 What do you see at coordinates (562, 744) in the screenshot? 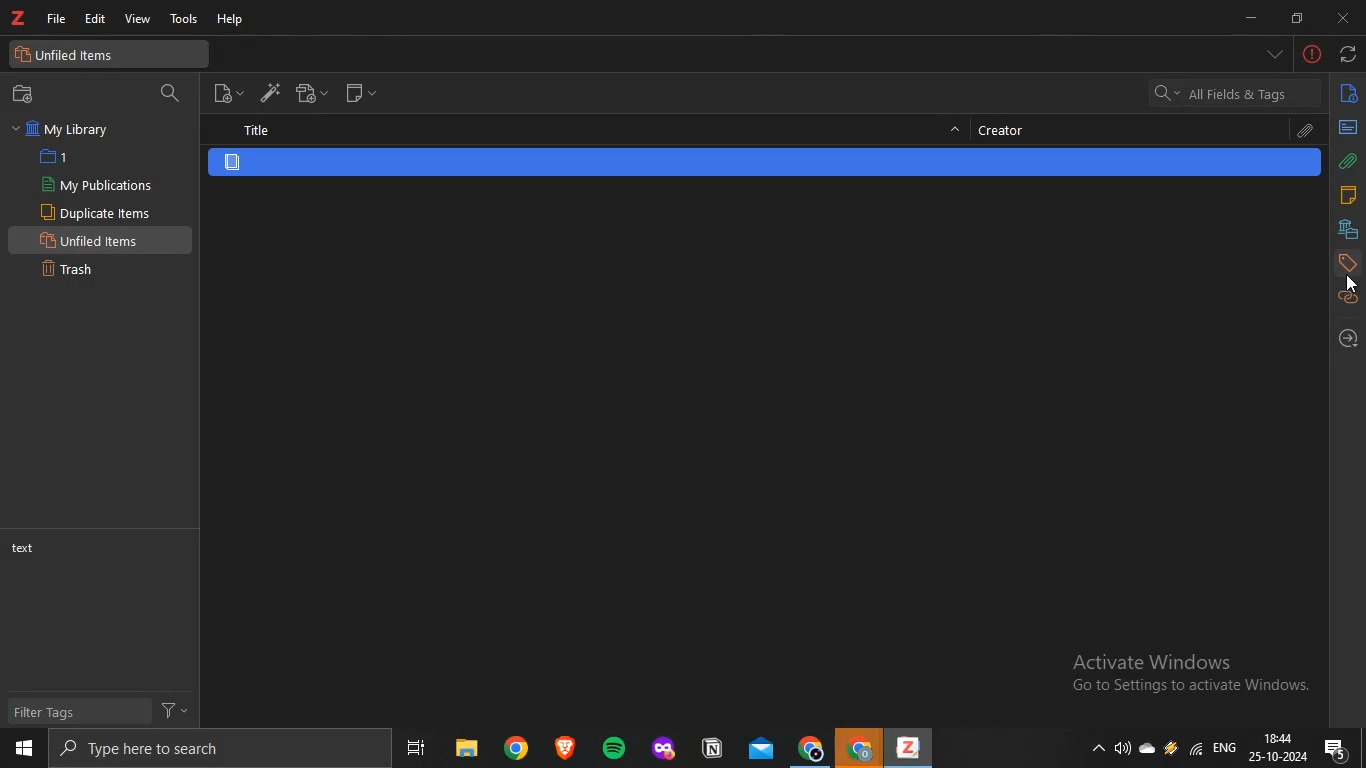
I see `app` at bounding box center [562, 744].